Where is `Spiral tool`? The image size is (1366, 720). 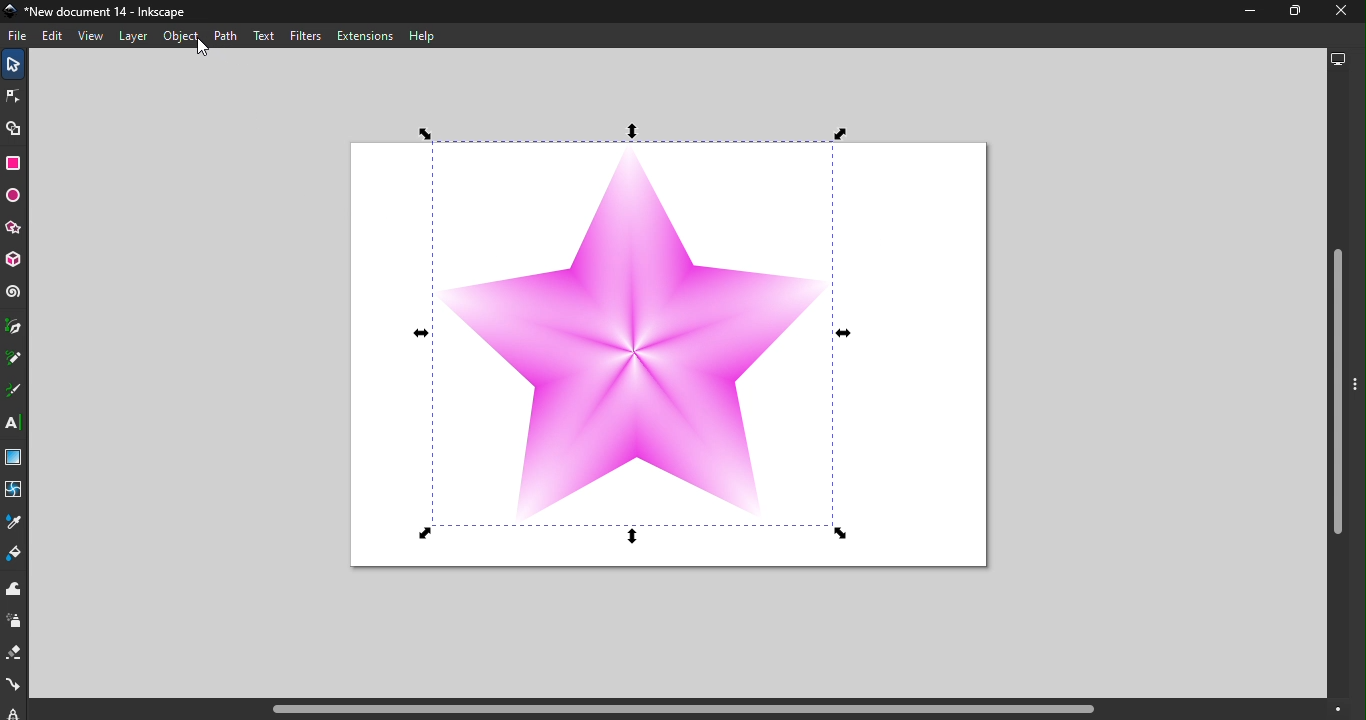 Spiral tool is located at coordinates (16, 294).